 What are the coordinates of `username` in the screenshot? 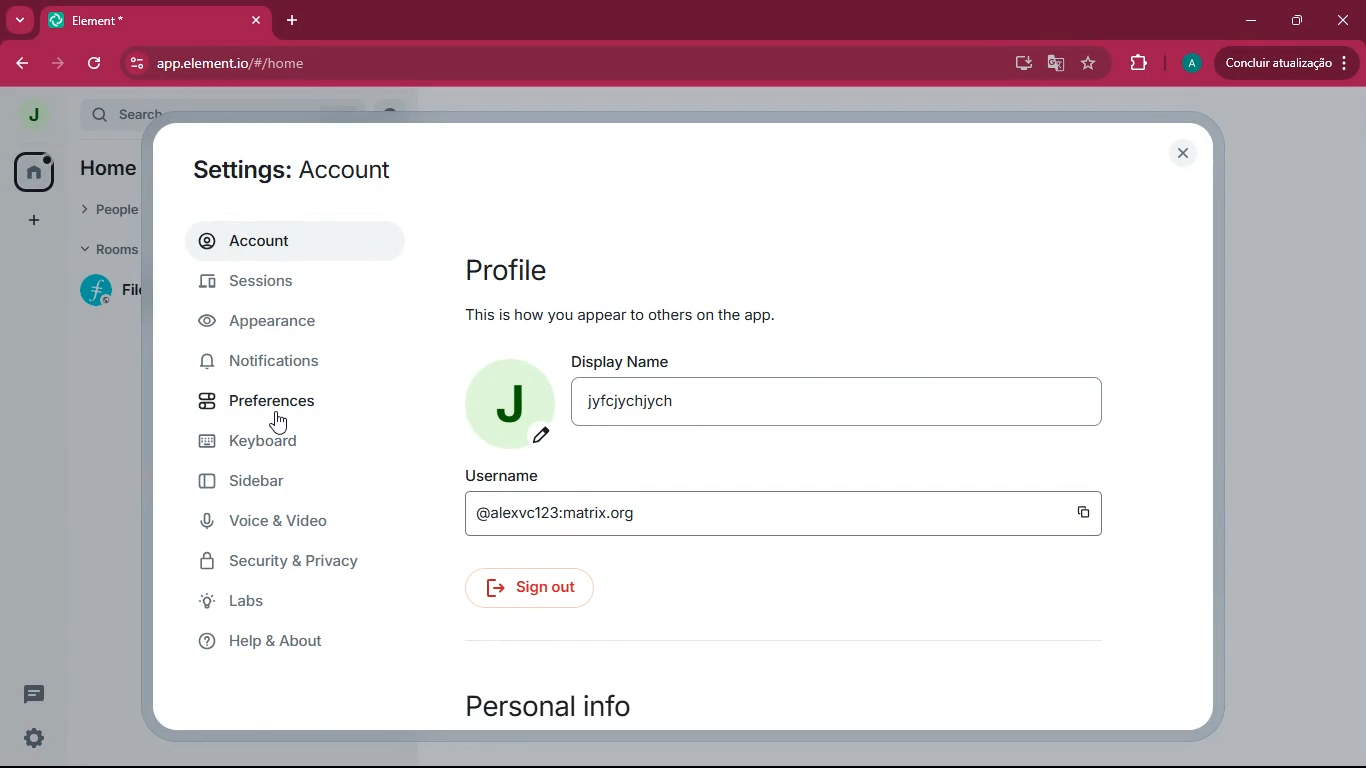 It's located at (776, 476).